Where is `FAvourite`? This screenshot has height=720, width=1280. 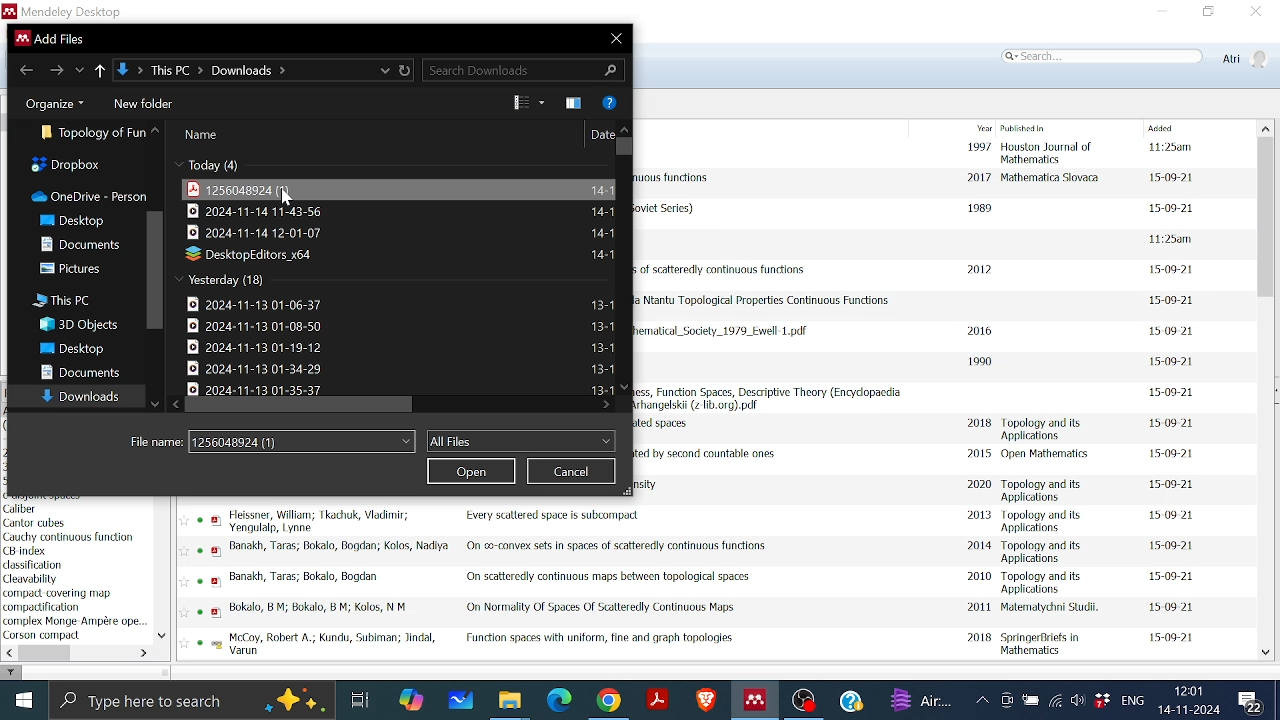
FAvourite is located at coordinates (186, 521).